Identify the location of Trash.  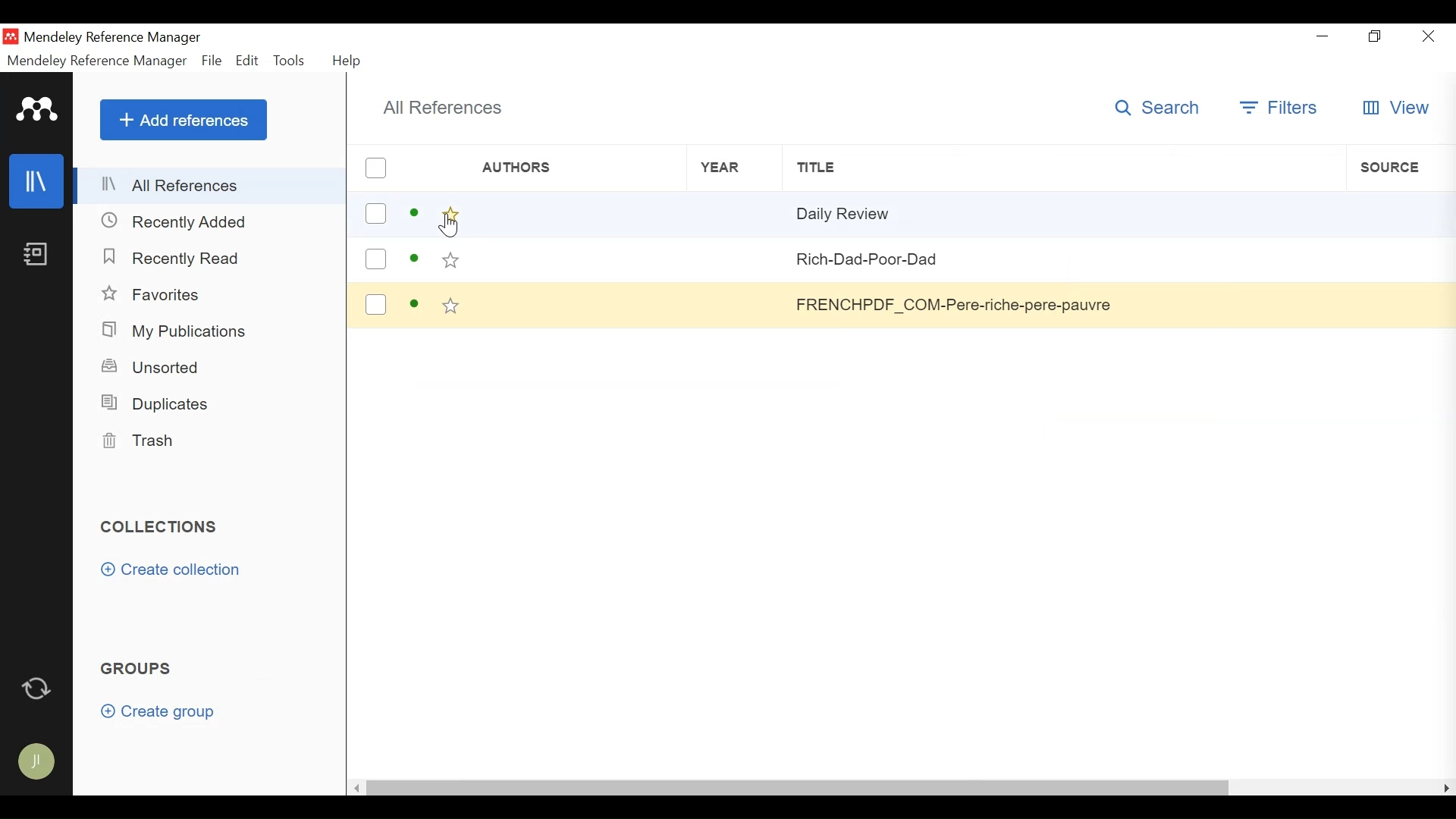
(142, 441).